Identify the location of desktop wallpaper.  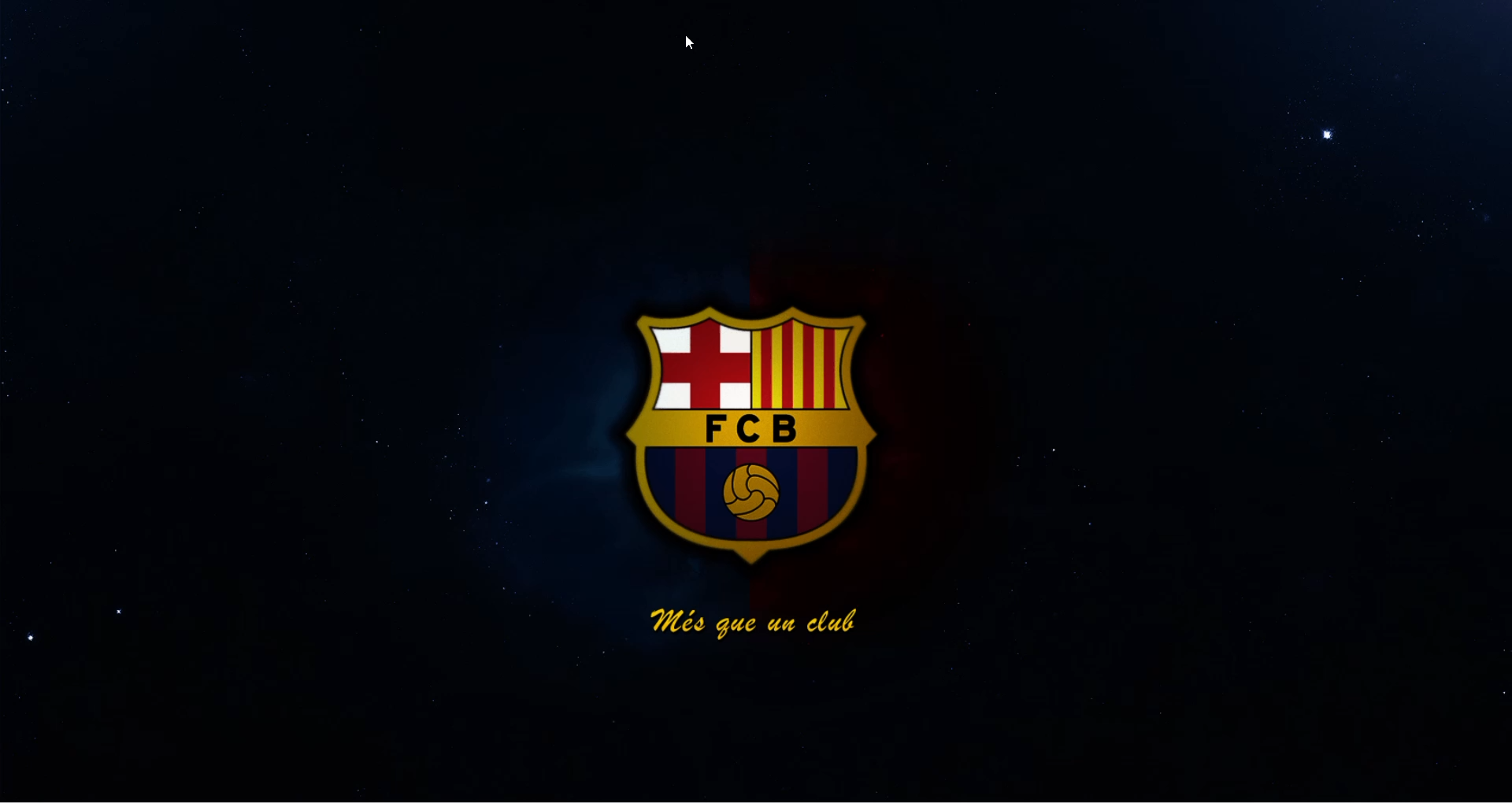
(757, 401).